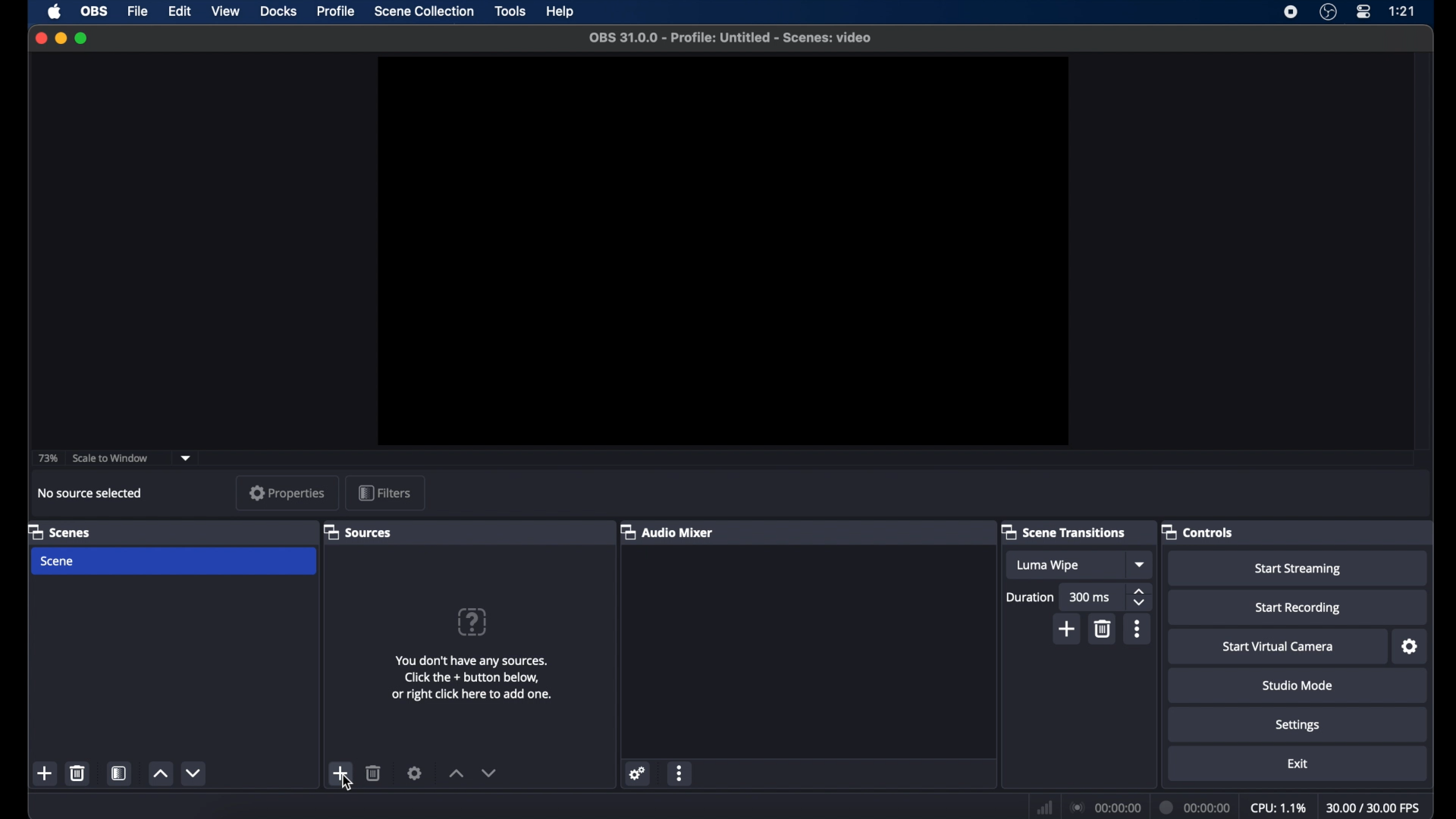 This screenshot has width=1456, height=819. What do you see at coordinates (40, 38) in the screenshot?
I see `close` at bounding box center [40, 38].